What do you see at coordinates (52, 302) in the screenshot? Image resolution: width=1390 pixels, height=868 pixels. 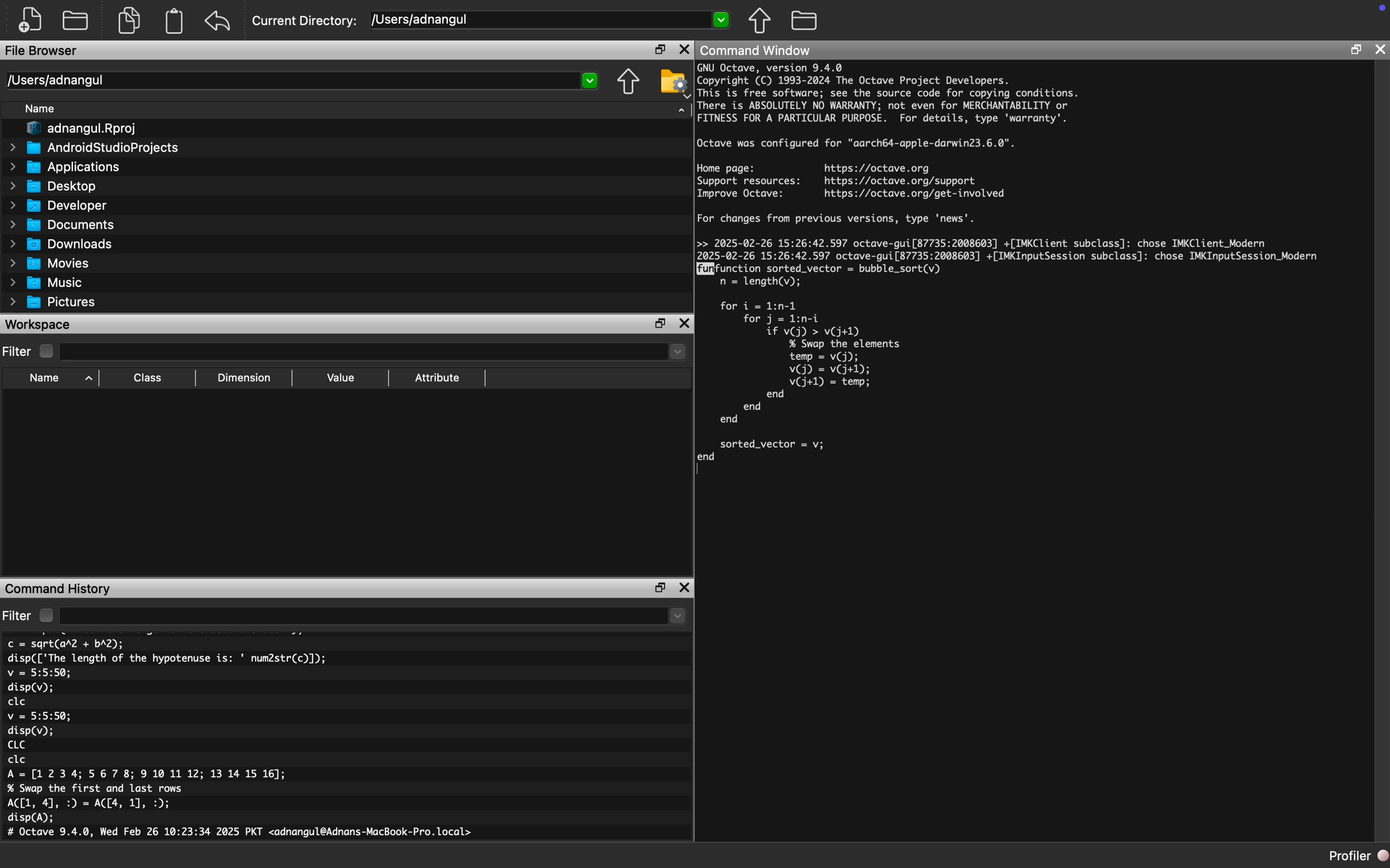 I see `Pictures` at bounding box center [52, 302].